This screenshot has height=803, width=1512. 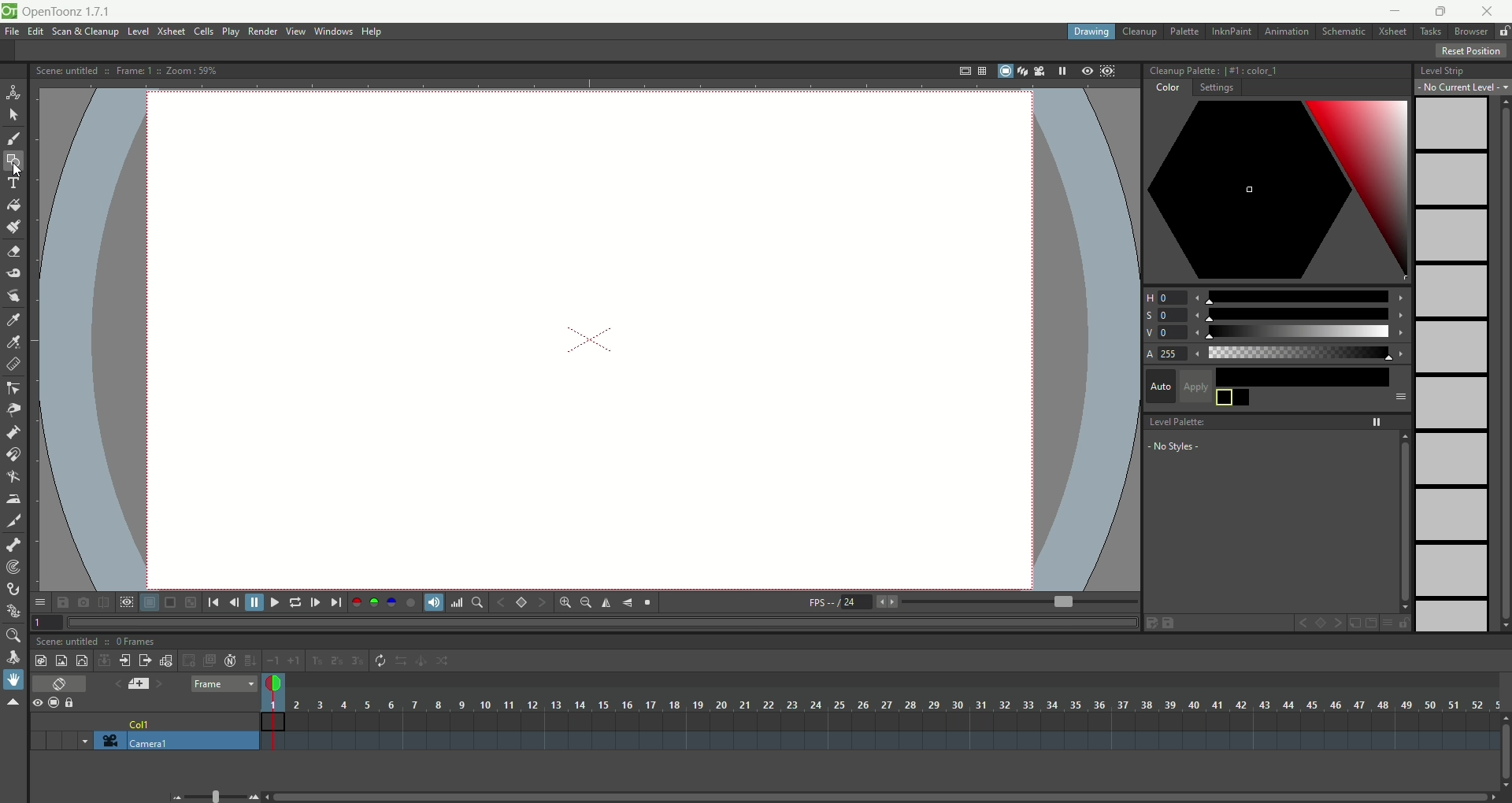 I want to click on add new memo, so click(x=138, y=683).